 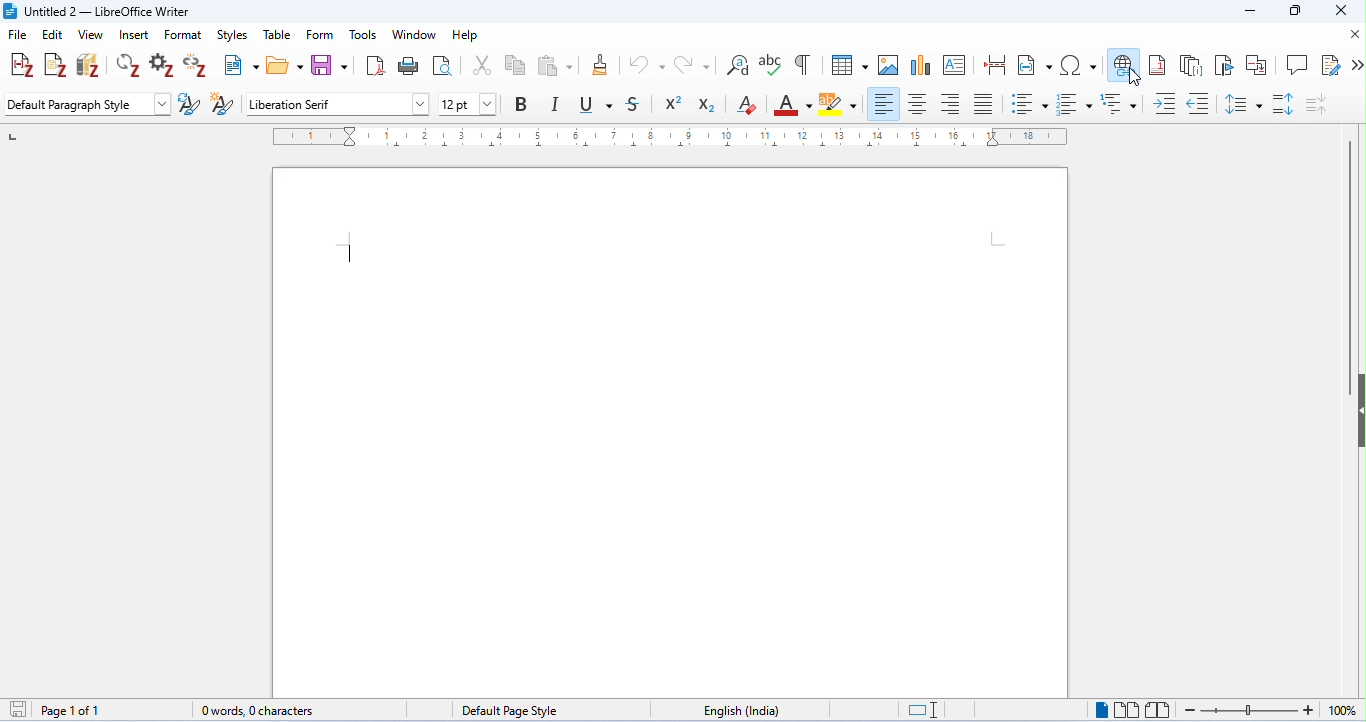 I want to click on toggle print preview, so click(x=443, y=65).